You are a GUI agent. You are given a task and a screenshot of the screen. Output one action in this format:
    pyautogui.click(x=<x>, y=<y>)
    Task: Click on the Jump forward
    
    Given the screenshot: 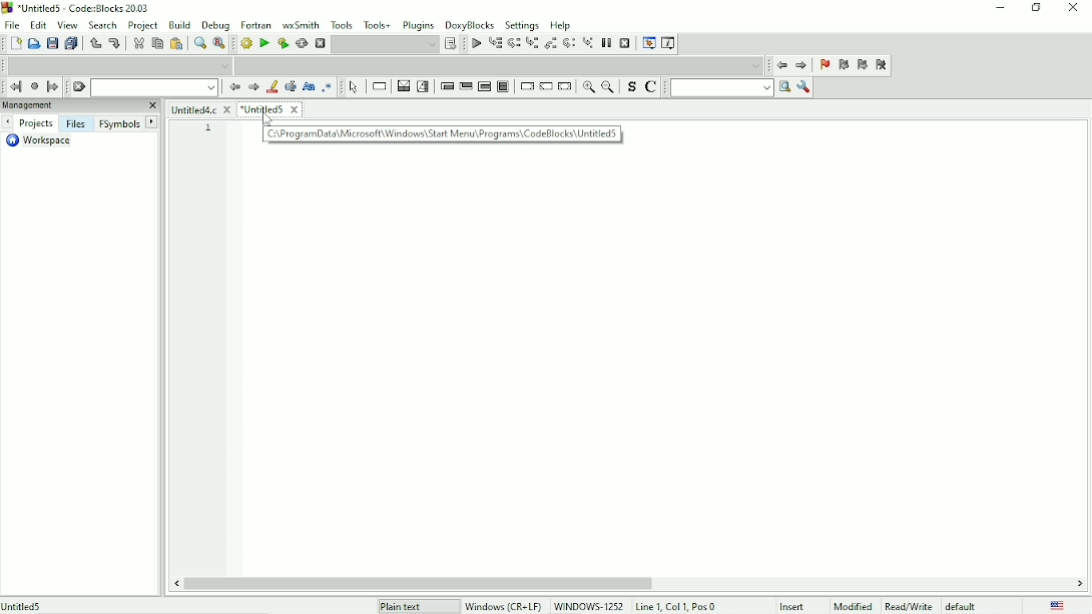 What is the action you would take?
    pyautogui.click(x=53, y=88)
    